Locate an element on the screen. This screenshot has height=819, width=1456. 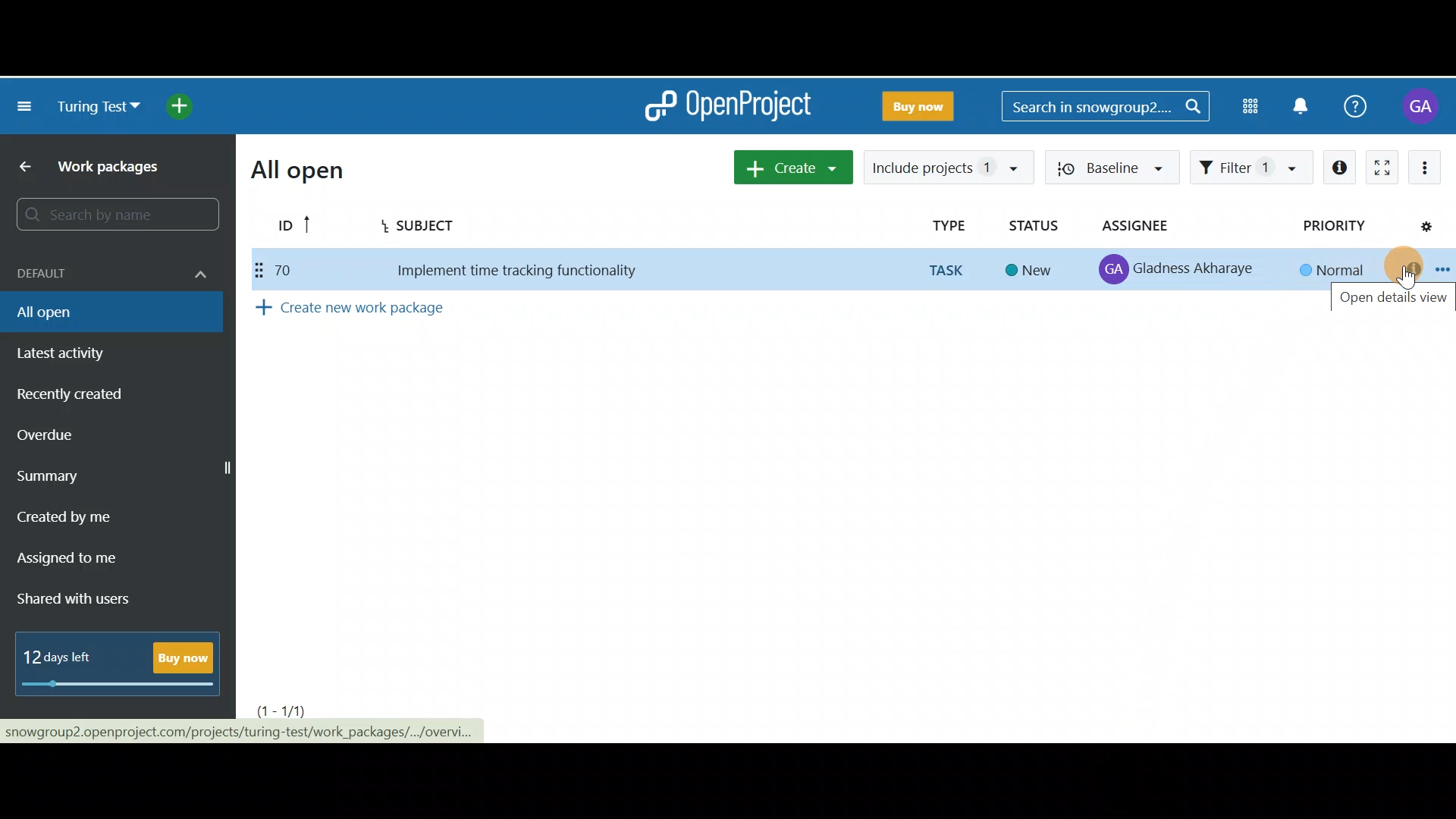
ID is located at coordinates (293, 225).